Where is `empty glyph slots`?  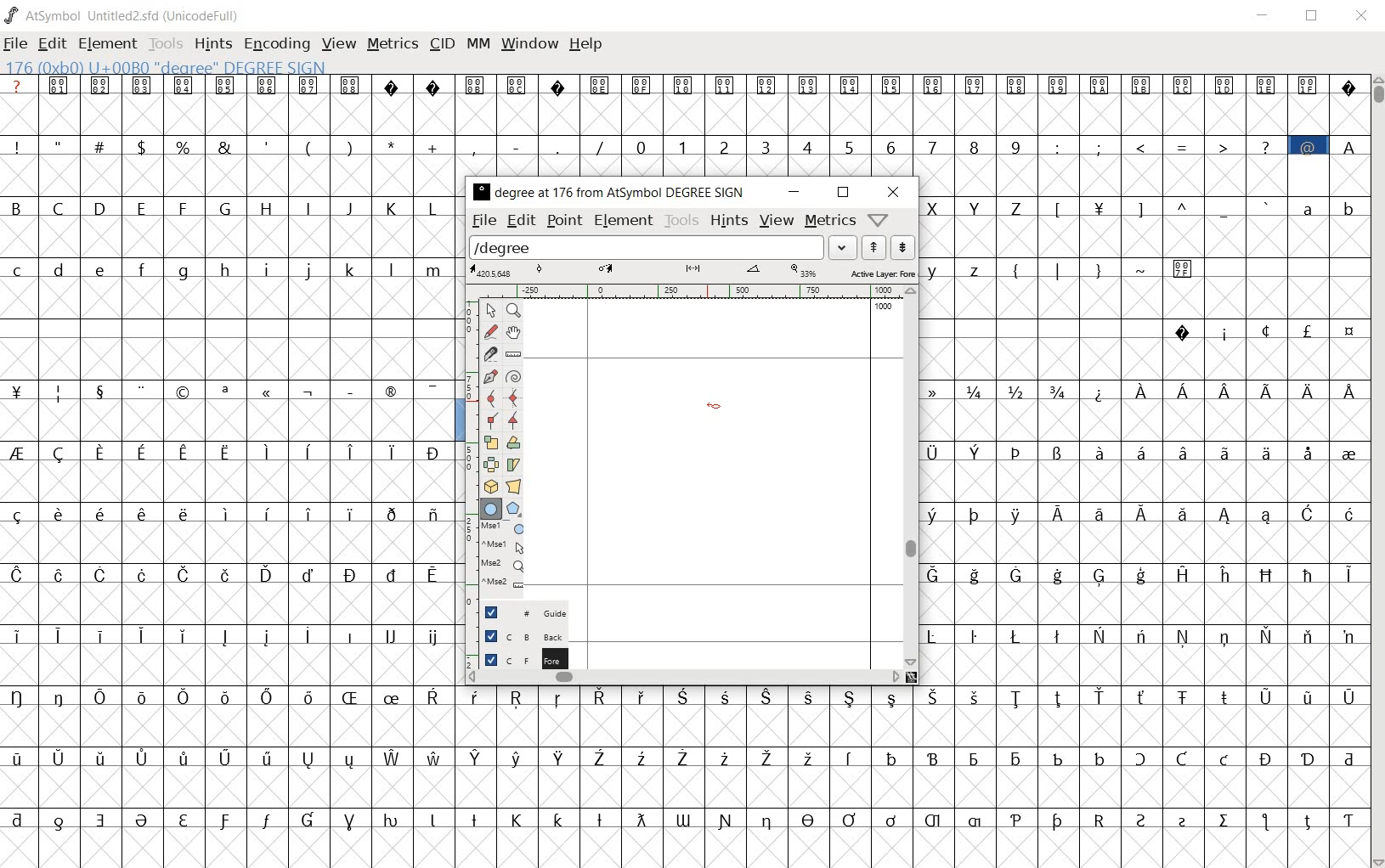
empty glyph slots is located at coordinates (682, 114).